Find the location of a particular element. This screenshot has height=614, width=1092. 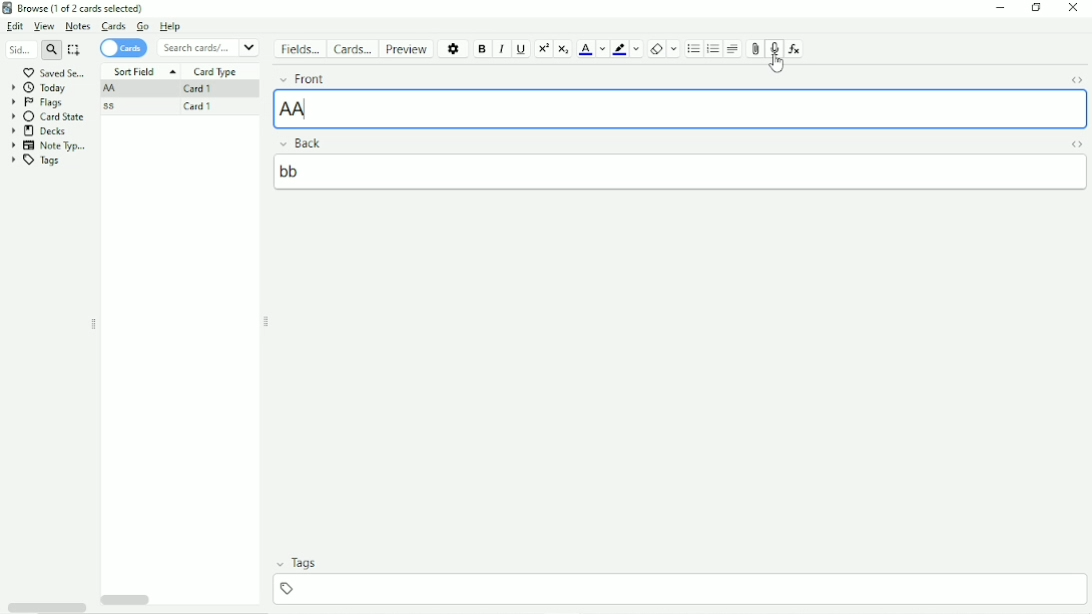

Help is located at coordinates (169, 26).